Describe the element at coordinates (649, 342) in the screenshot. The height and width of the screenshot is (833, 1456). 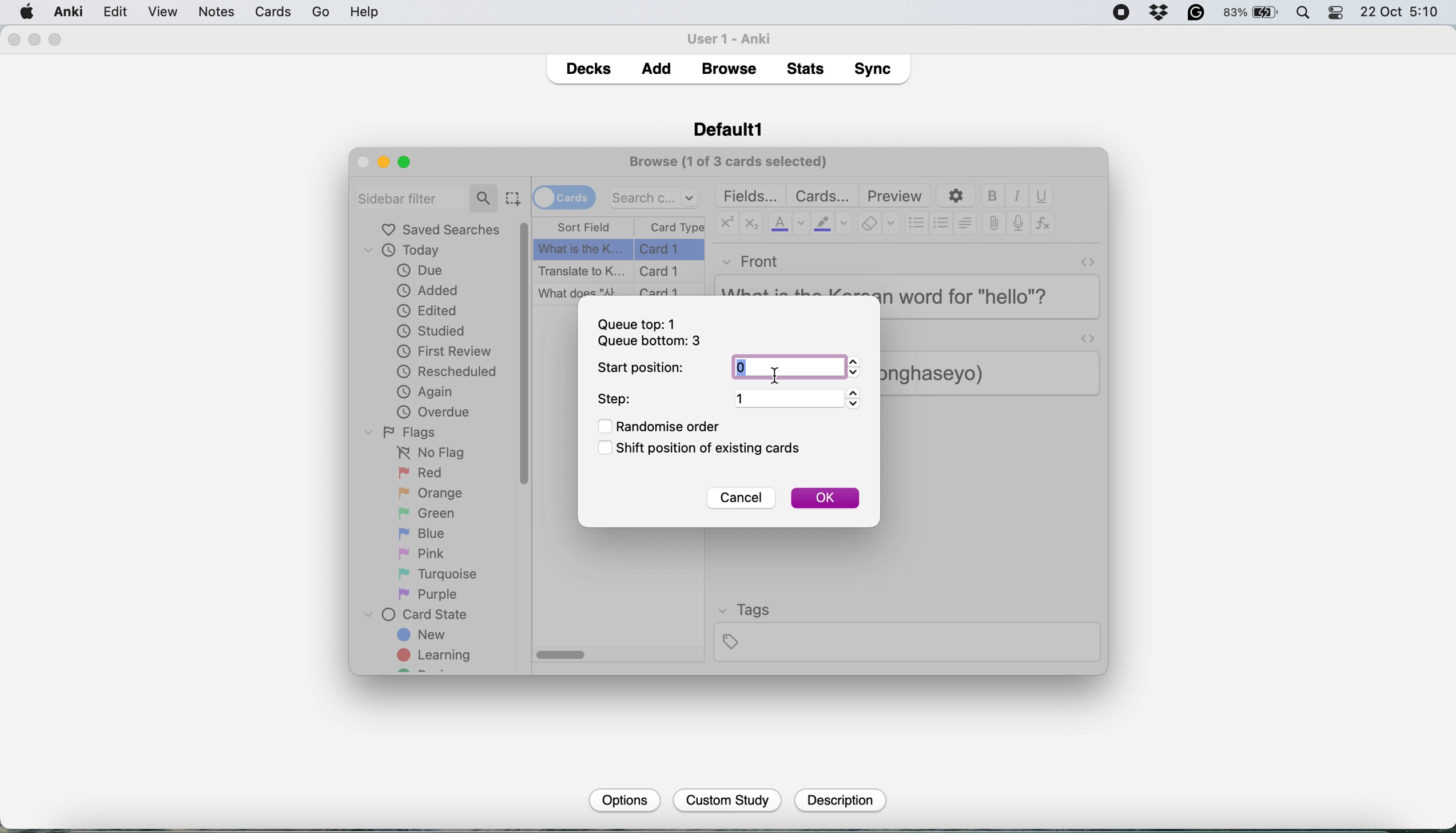
I see `queue bottom: 3` at that location.